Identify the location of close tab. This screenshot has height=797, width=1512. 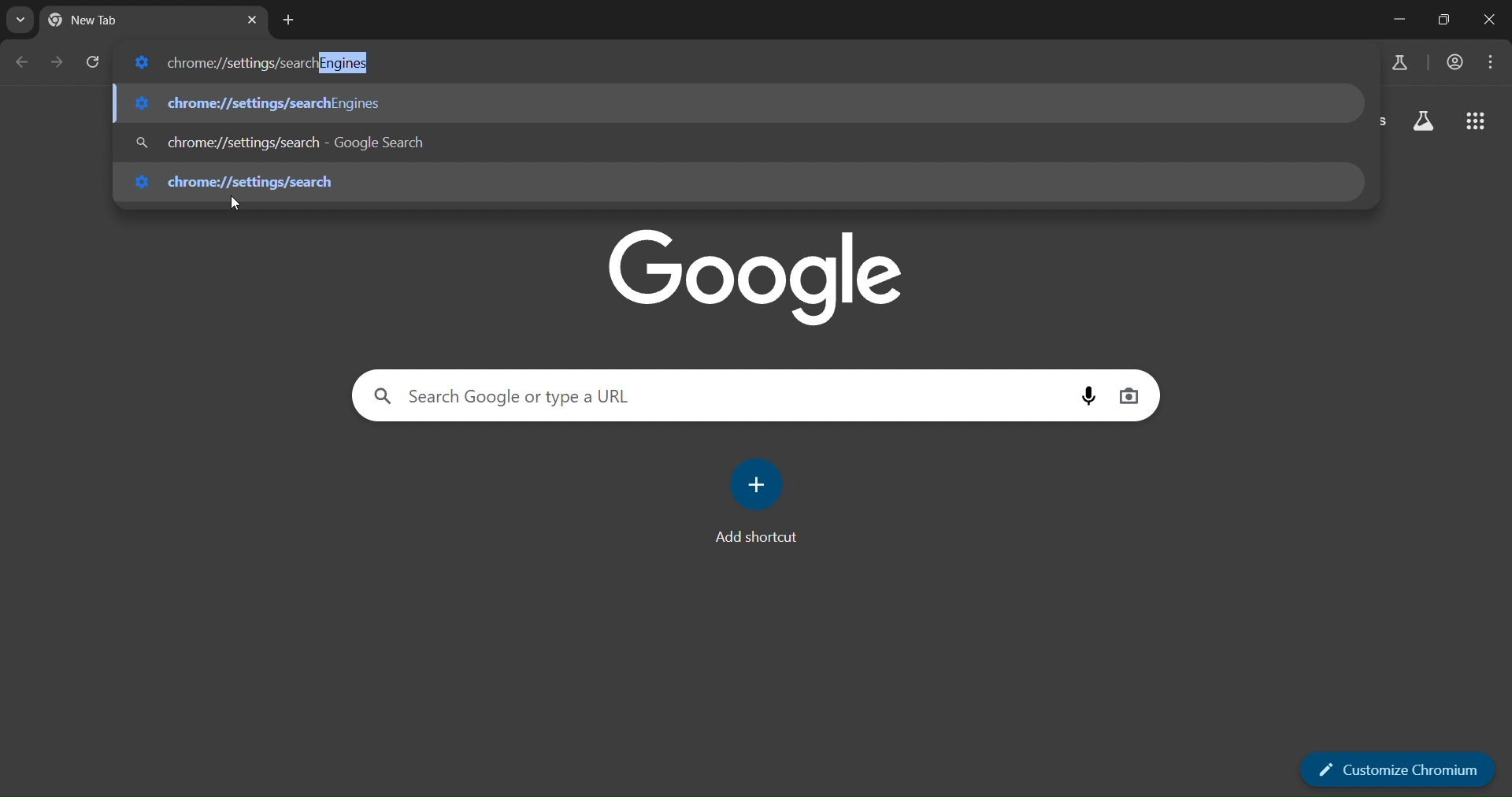
(254, 17).